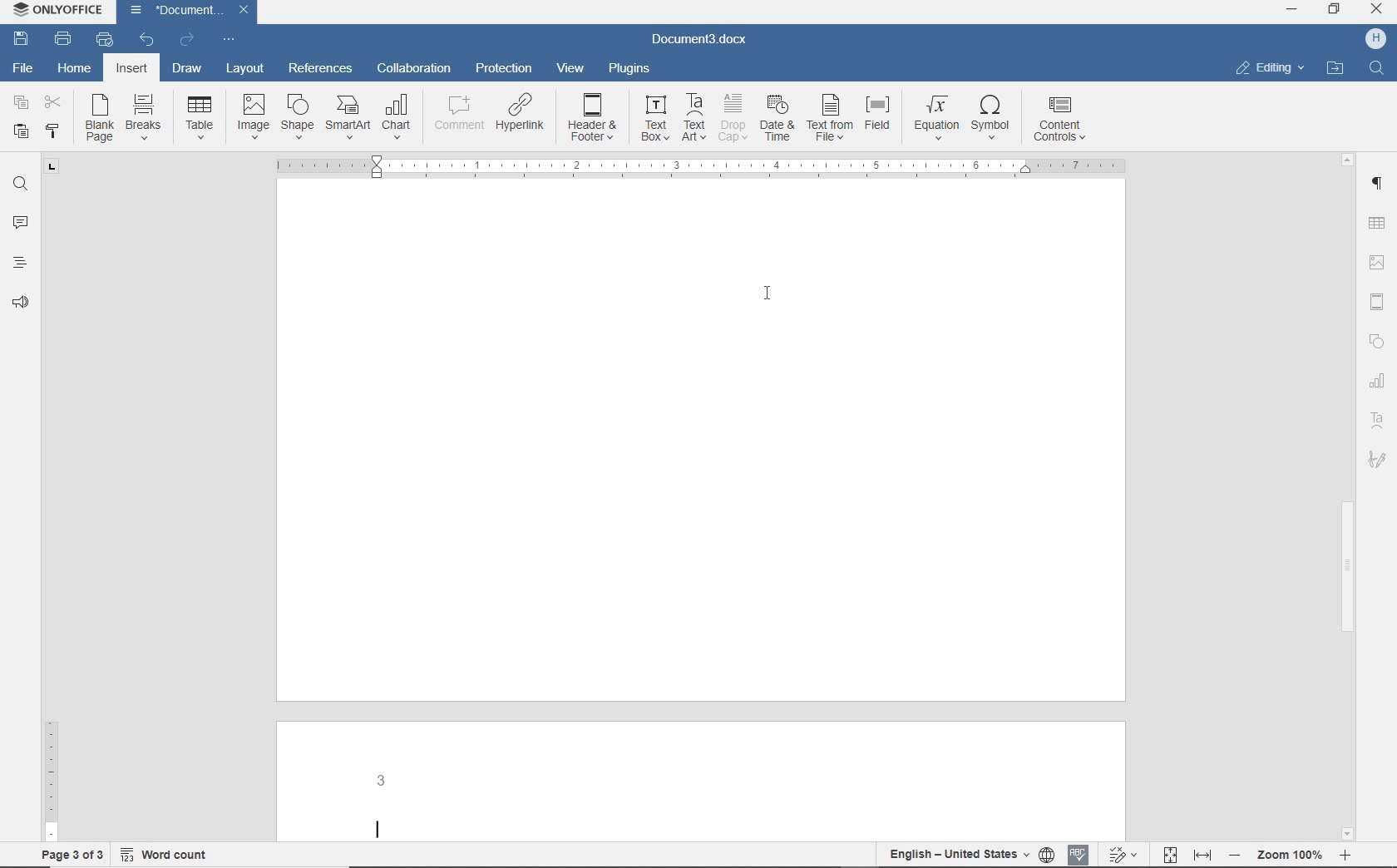  I want to click on COLLABORATION, so click(414, 71).